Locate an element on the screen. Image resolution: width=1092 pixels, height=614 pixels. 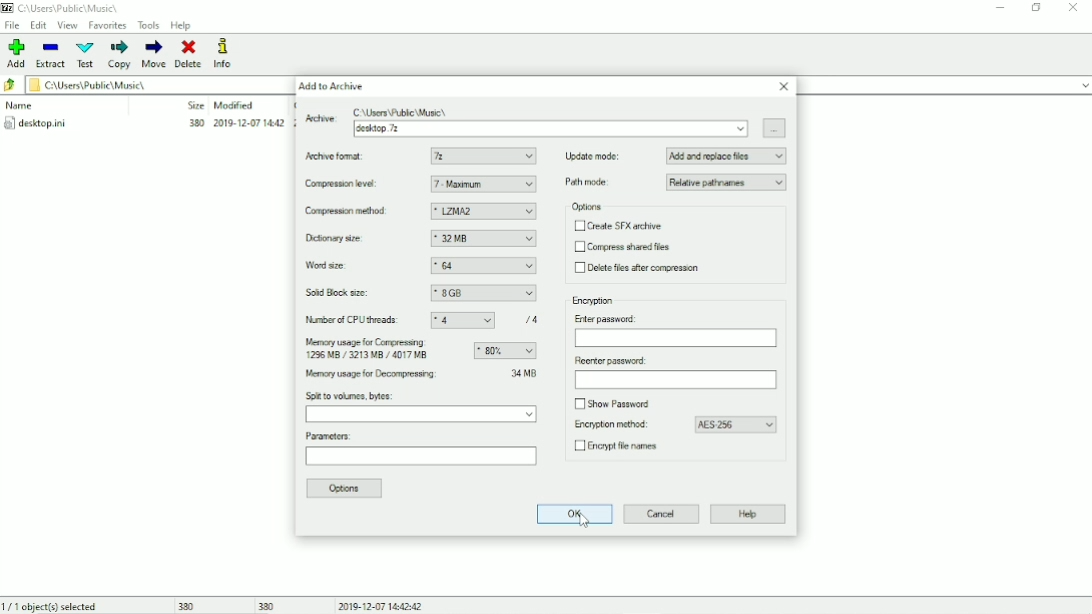
Memory usage for compressing is located at coordinates (370, 350).